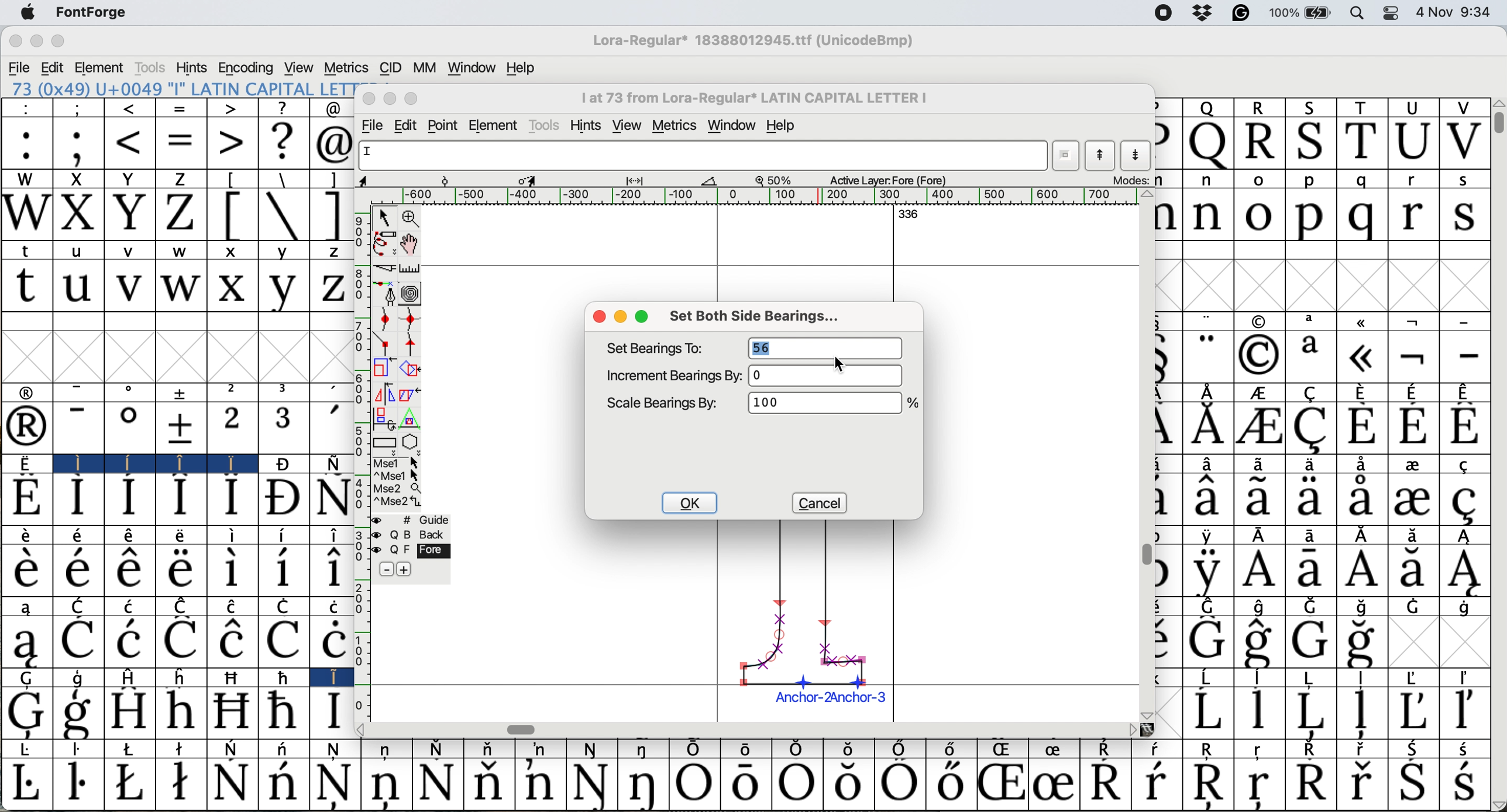  What do you see at coordinates (284, 641) in the screenshot?
I see `Symbol` at bounding box center [284, 641].